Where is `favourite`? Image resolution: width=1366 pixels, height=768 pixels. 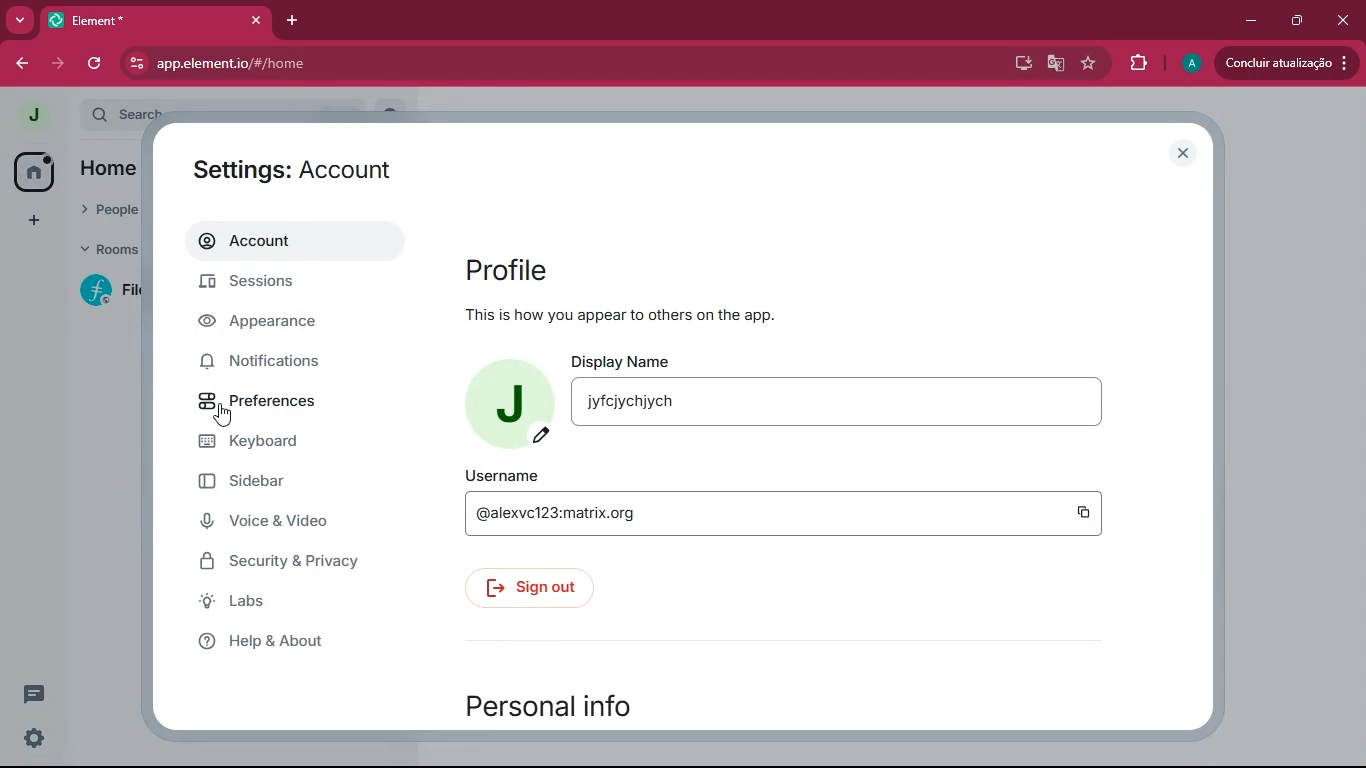
favourite is located at coordinates (1093, 64).